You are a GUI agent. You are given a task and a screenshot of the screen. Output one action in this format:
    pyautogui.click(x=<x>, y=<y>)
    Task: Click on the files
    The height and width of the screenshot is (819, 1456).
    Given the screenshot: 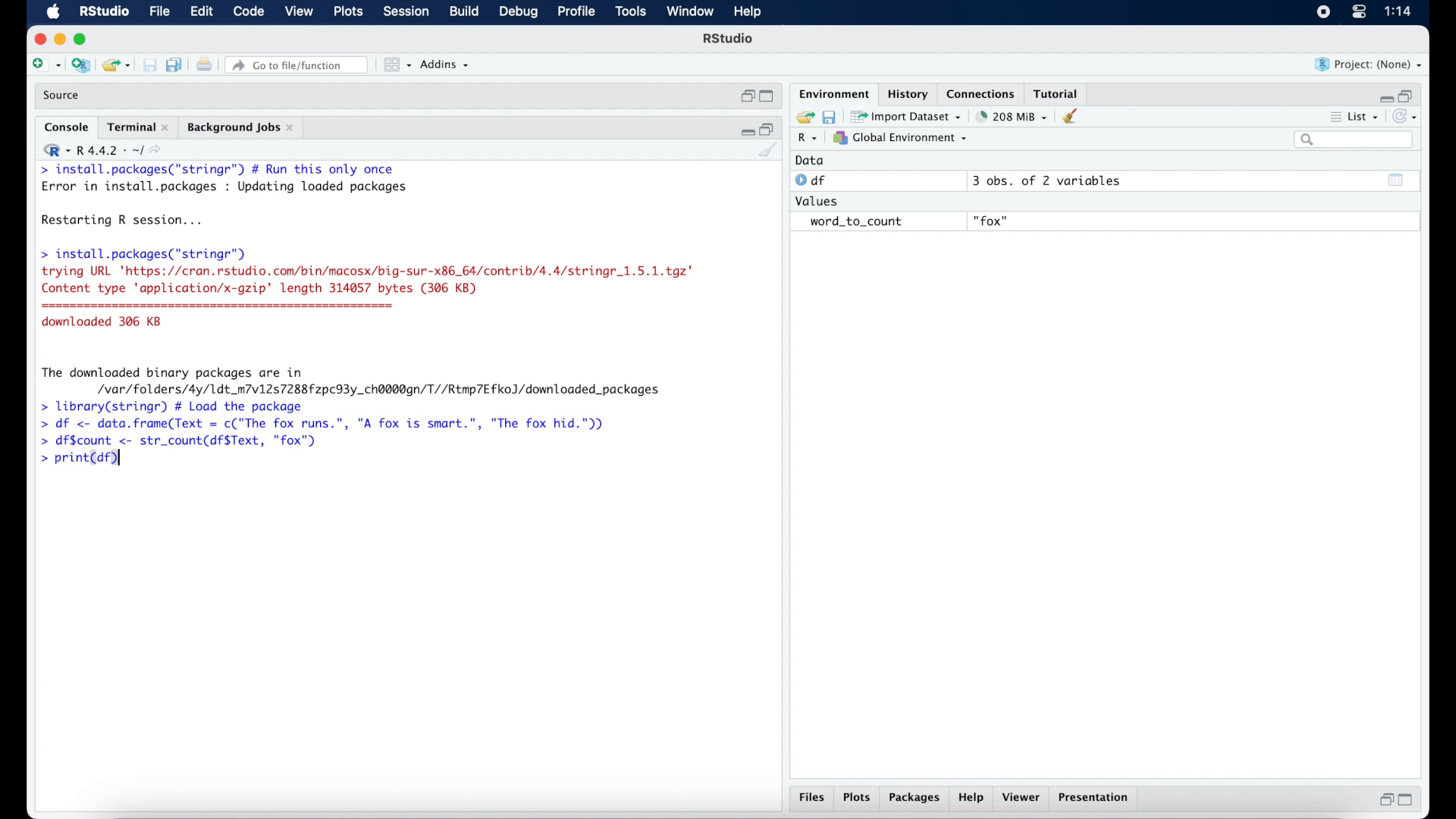 What is the action you would take?
    pyautogui.click(x=814, y=798)
    